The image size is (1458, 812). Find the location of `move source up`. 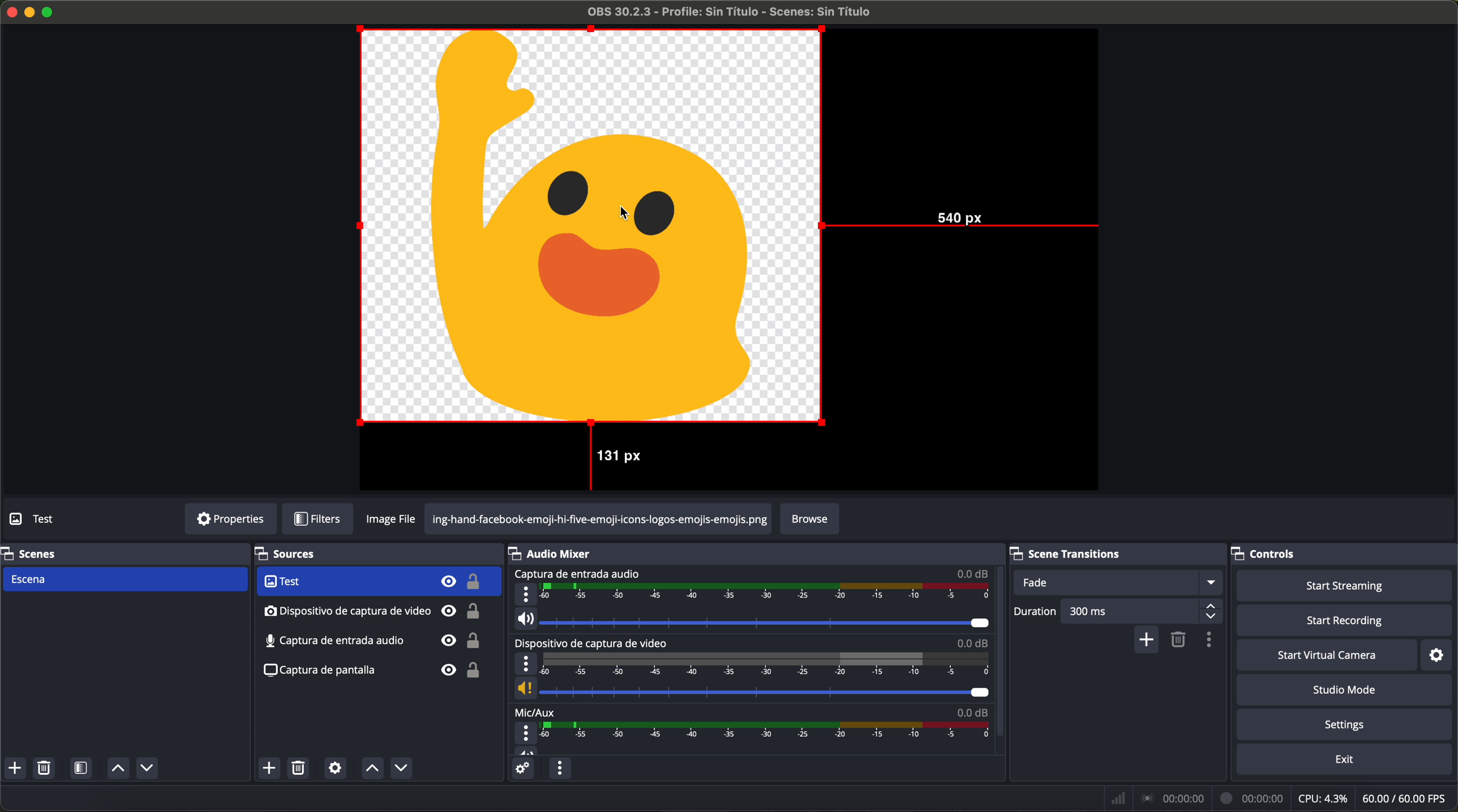

move source up is located at coordinates (372, 768).